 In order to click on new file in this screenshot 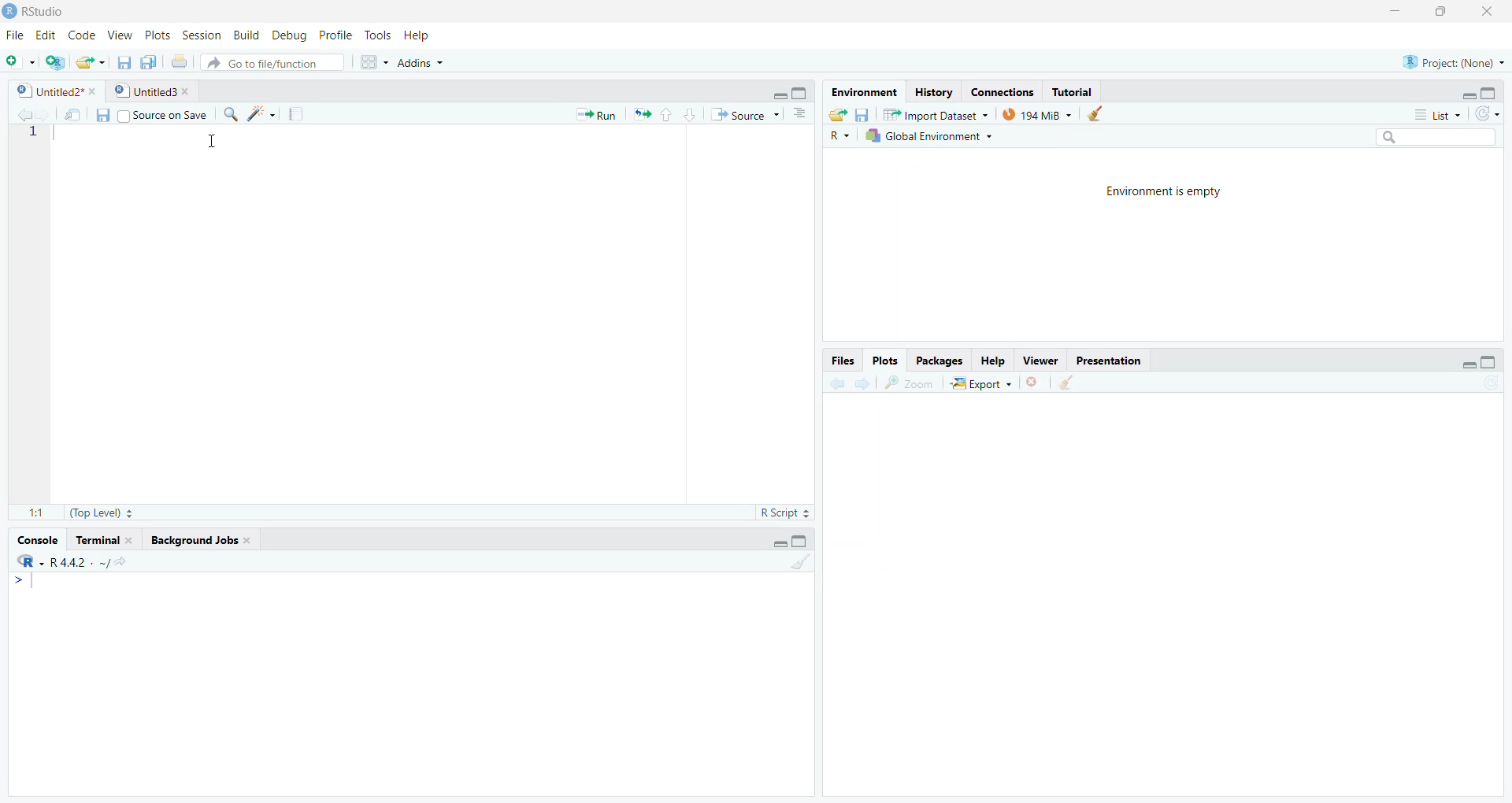, I will do `click(20, 61)`.